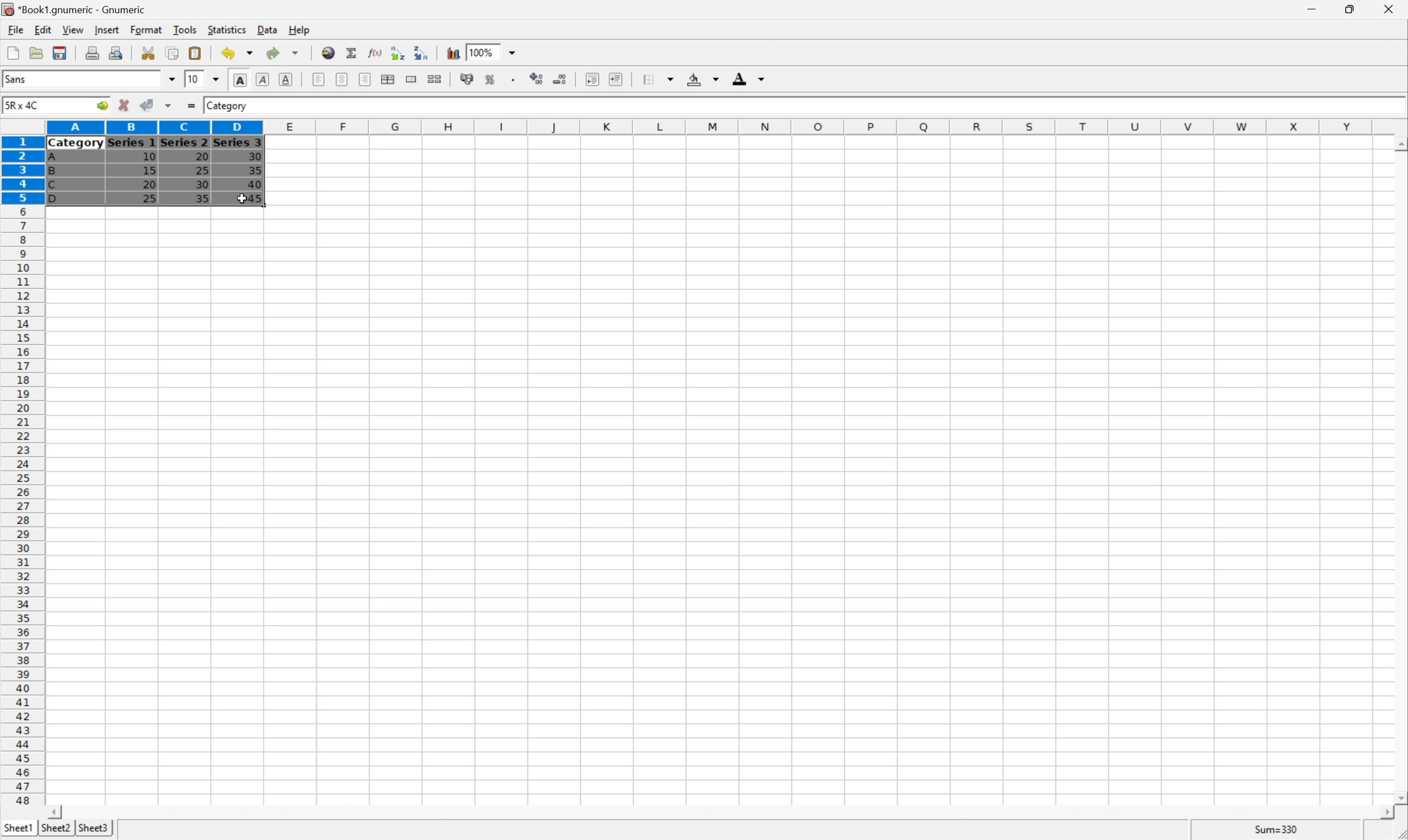 The width and height of the screenshot is (1408, 840). What do you see at coordinates (146, 29) in the screenshot?
I see `Format` at bounding box center [146, 29].